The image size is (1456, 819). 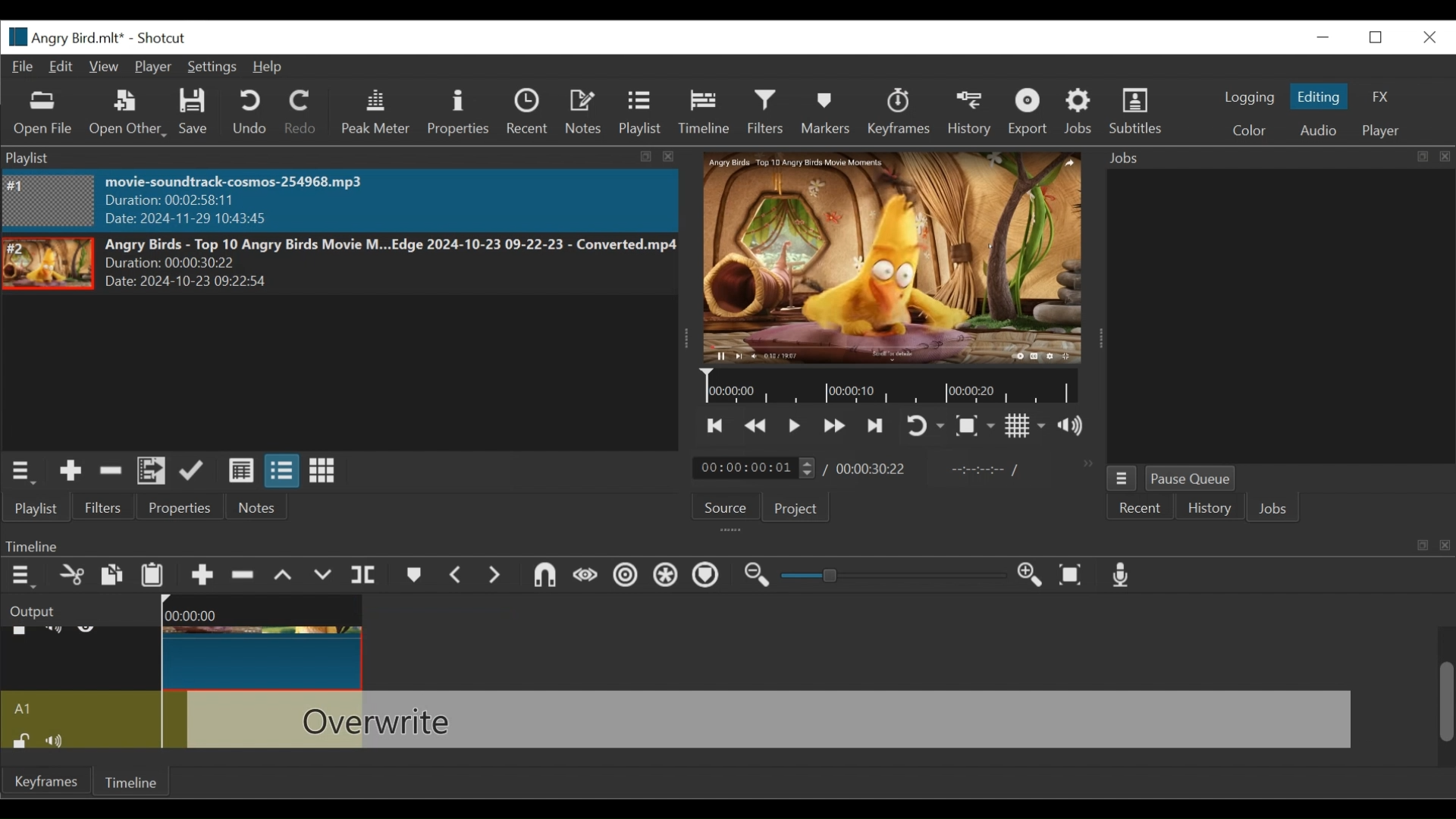 What do you see at coordinates (196, 113) in the screenshot?
I see `Save` at bounding box center [196, 113].